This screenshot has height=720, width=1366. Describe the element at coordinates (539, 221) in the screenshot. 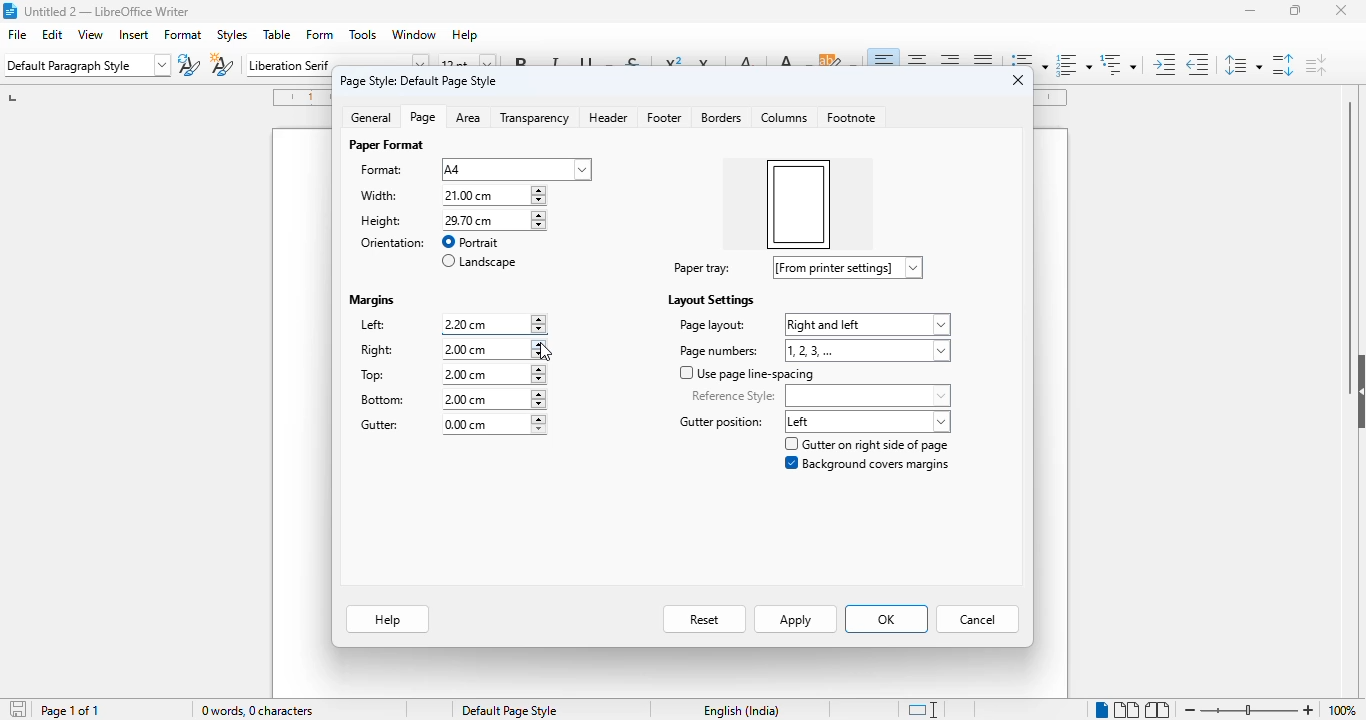

I see `increment or decrement width` at that location.